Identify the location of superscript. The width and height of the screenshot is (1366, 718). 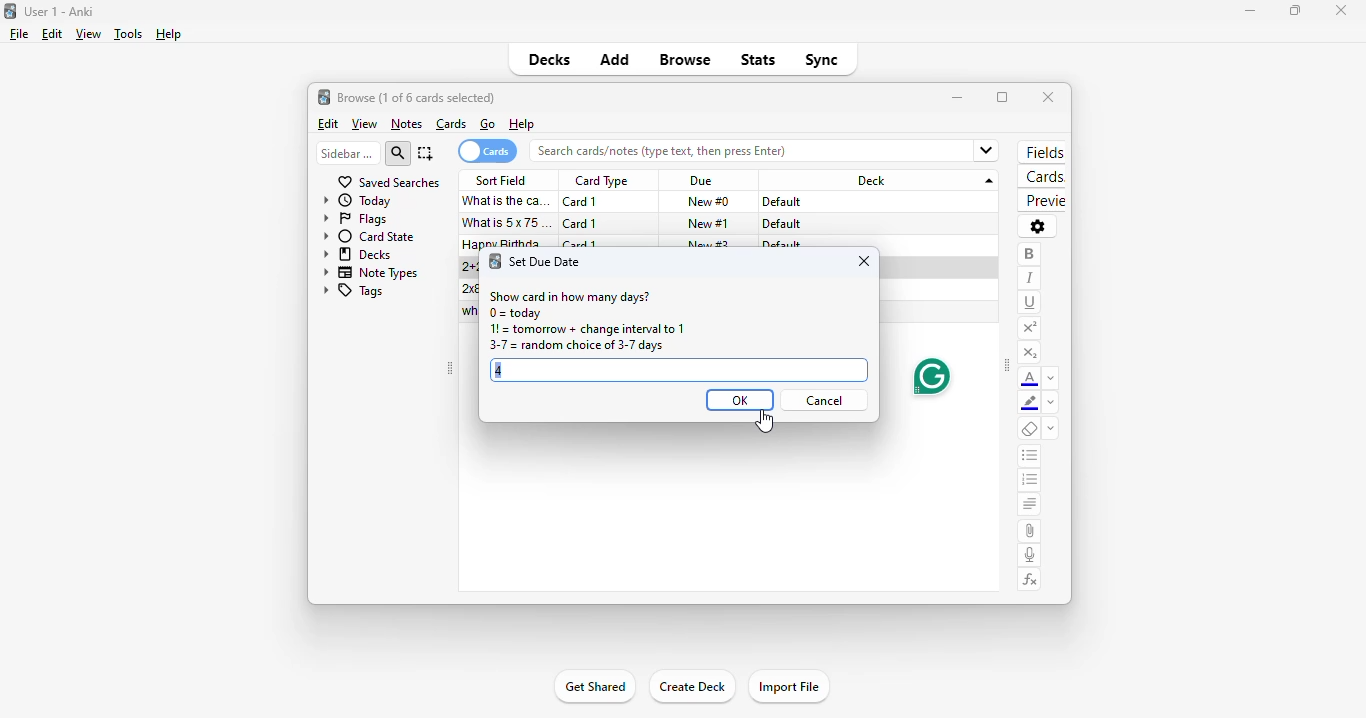
(1029, 328).